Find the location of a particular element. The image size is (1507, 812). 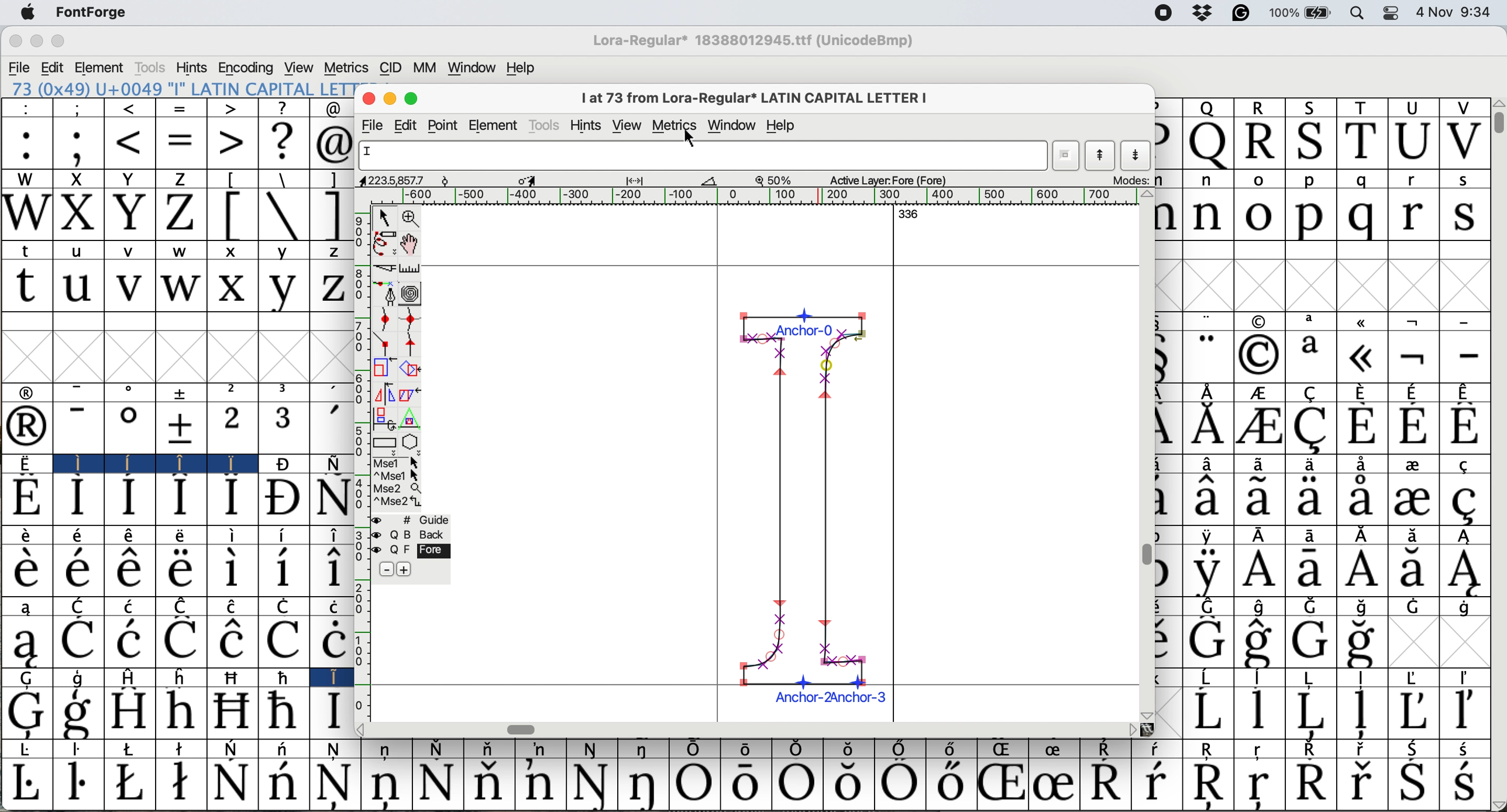

 is located at coordinates (634, 178).